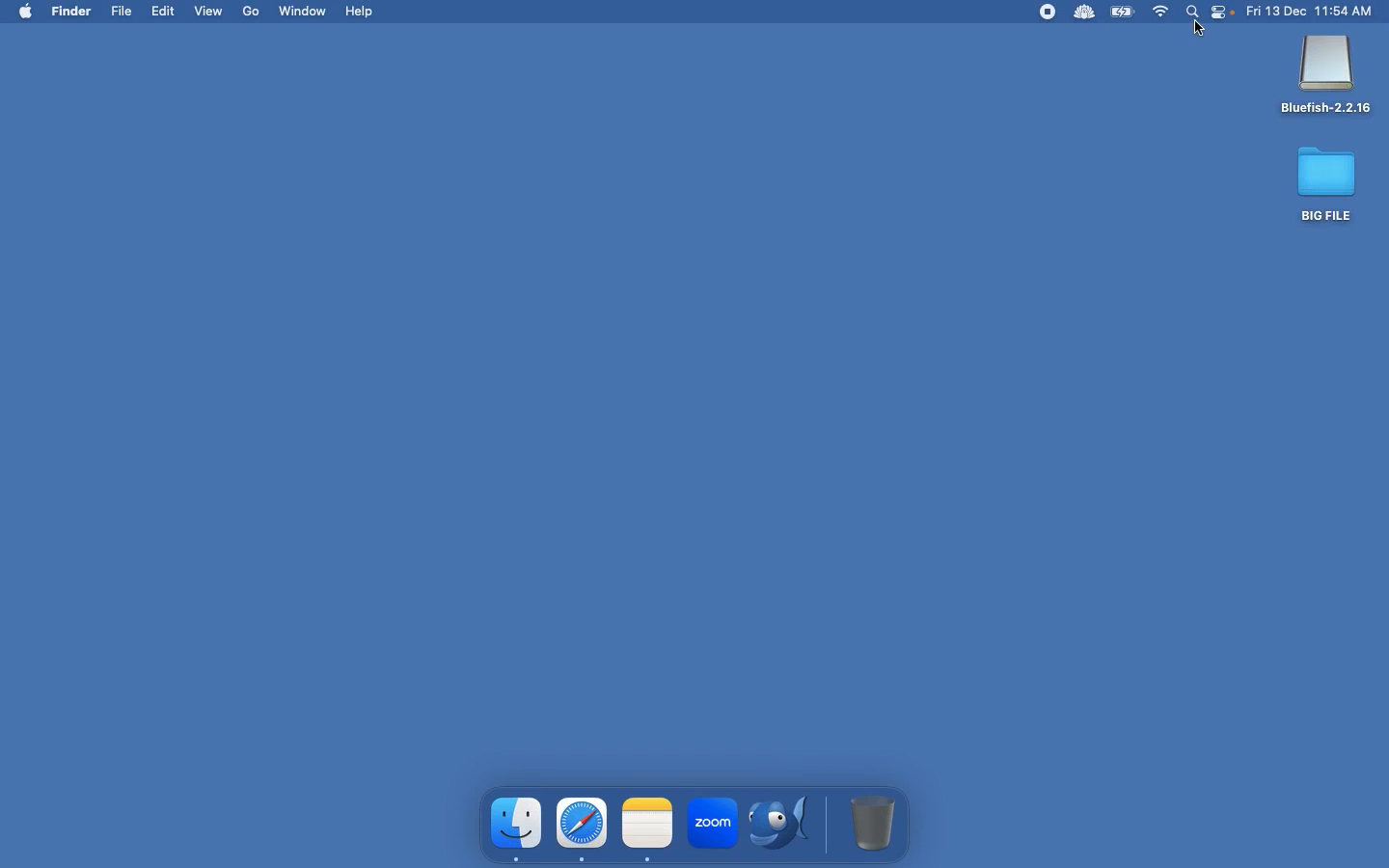 The height and width of the screenshot is (868, 1389). Describe the element at coordinates (1316, 11) in the screenshot. I see `Date time` at that location.